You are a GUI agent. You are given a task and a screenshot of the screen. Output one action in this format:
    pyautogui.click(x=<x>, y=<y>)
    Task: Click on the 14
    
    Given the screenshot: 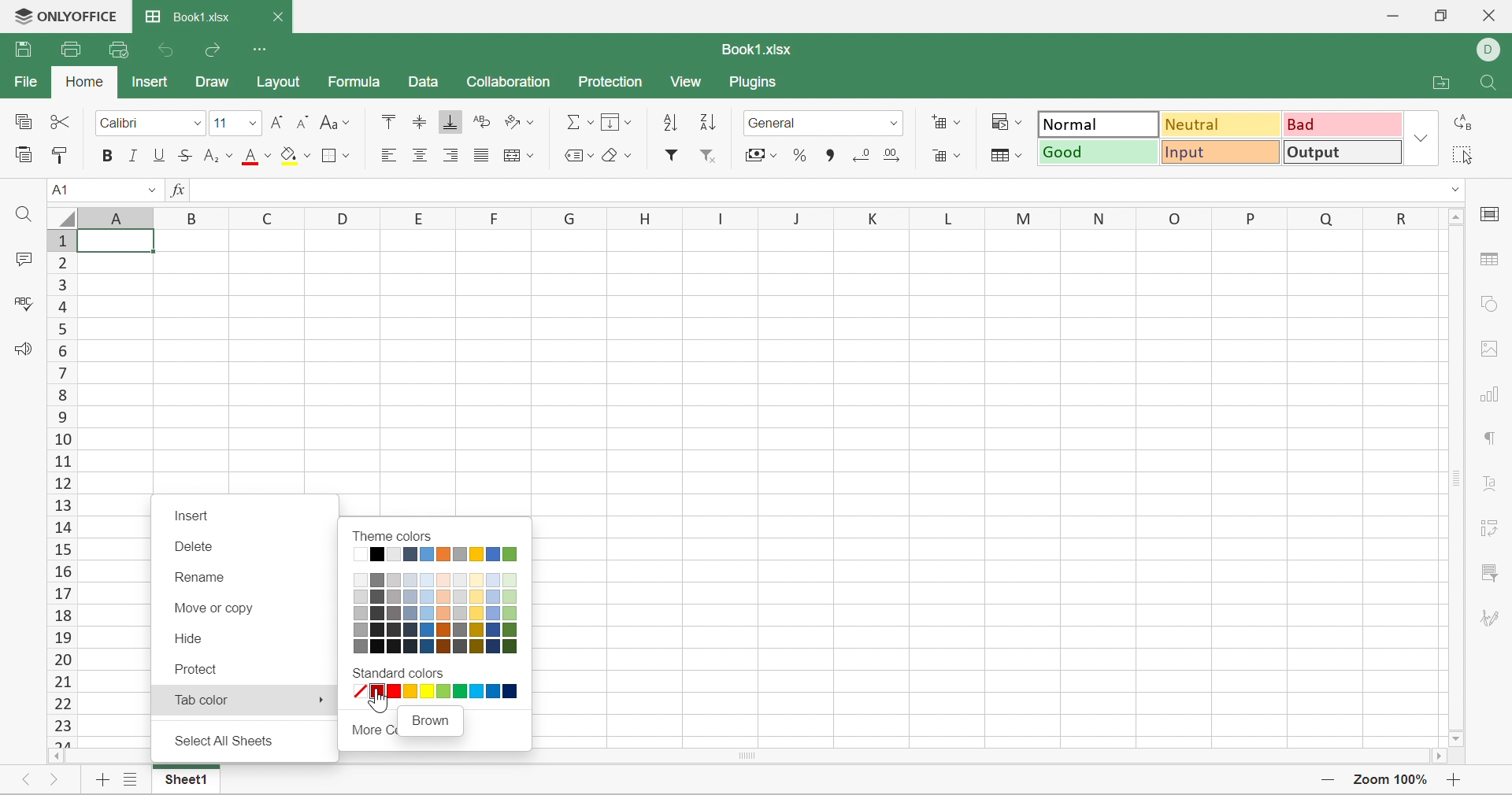 What is the action you would take?
    pyautogui.click(x=62, y=528)
    